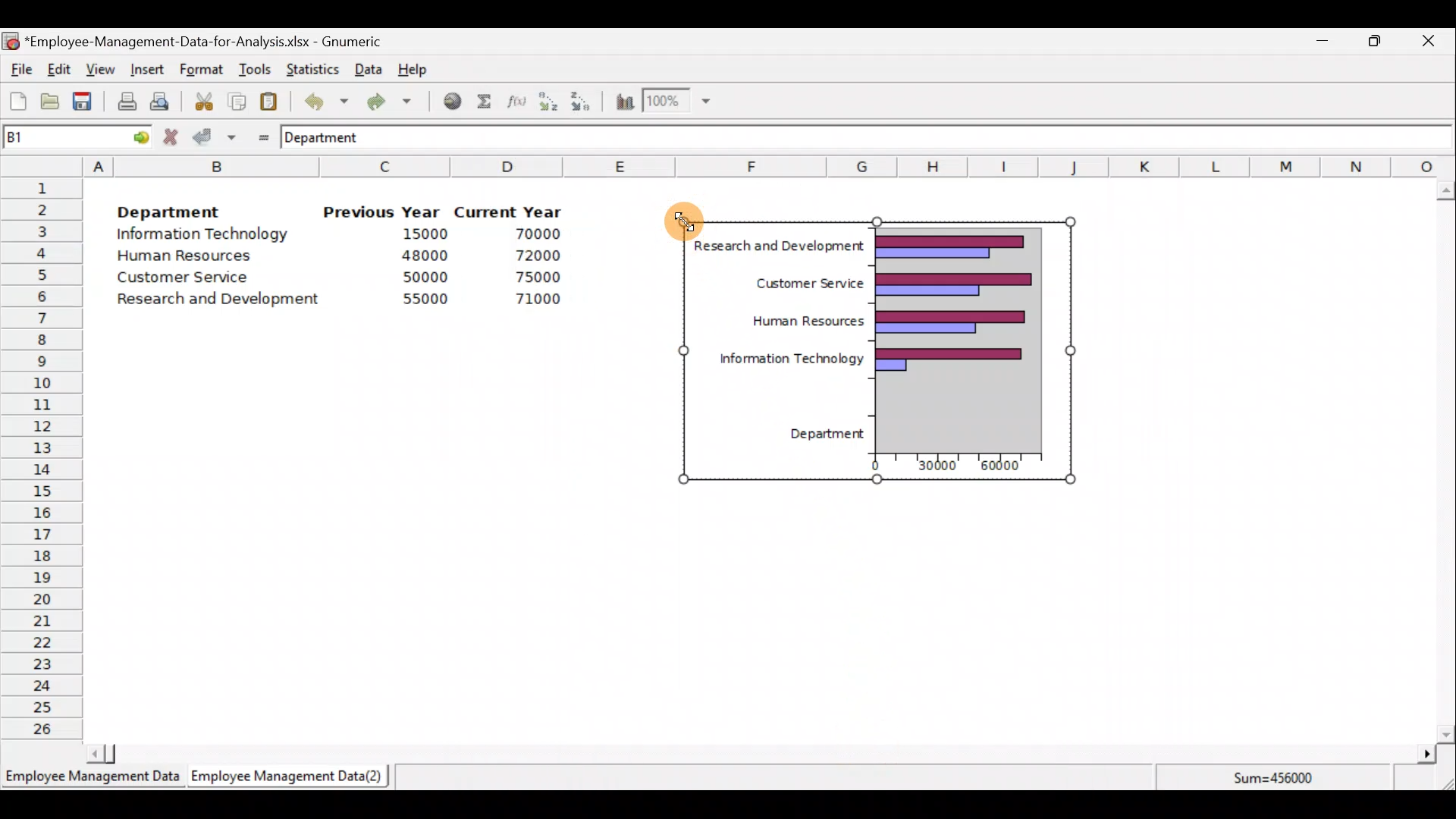 The width and height of the screenshot is (1456, 819). Describe the element at coordinates (60, 71) in the screenshot. I see `Edit` at that location.